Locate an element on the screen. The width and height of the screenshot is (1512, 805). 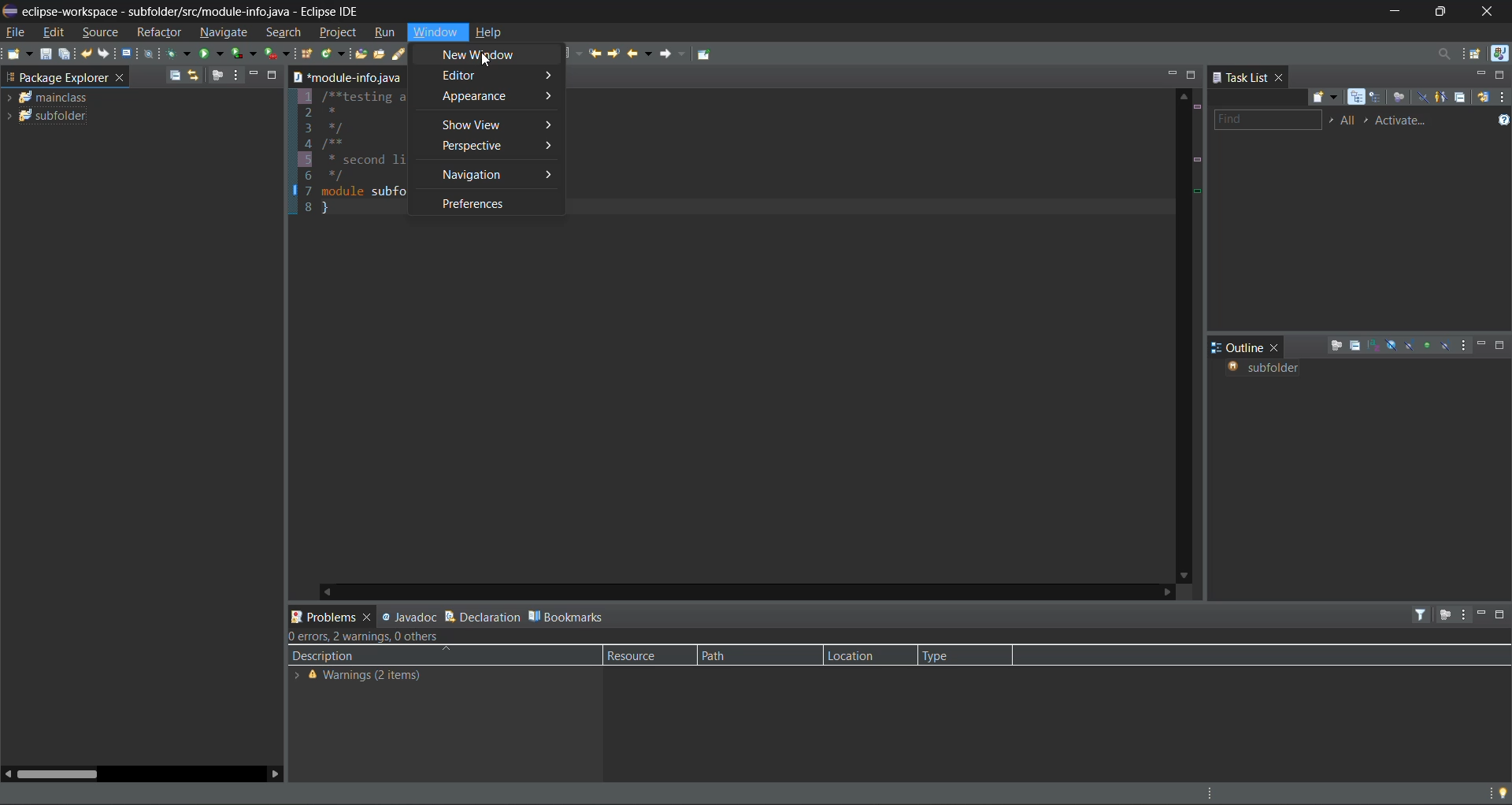
maximize is located at coordinates (1501, 345).